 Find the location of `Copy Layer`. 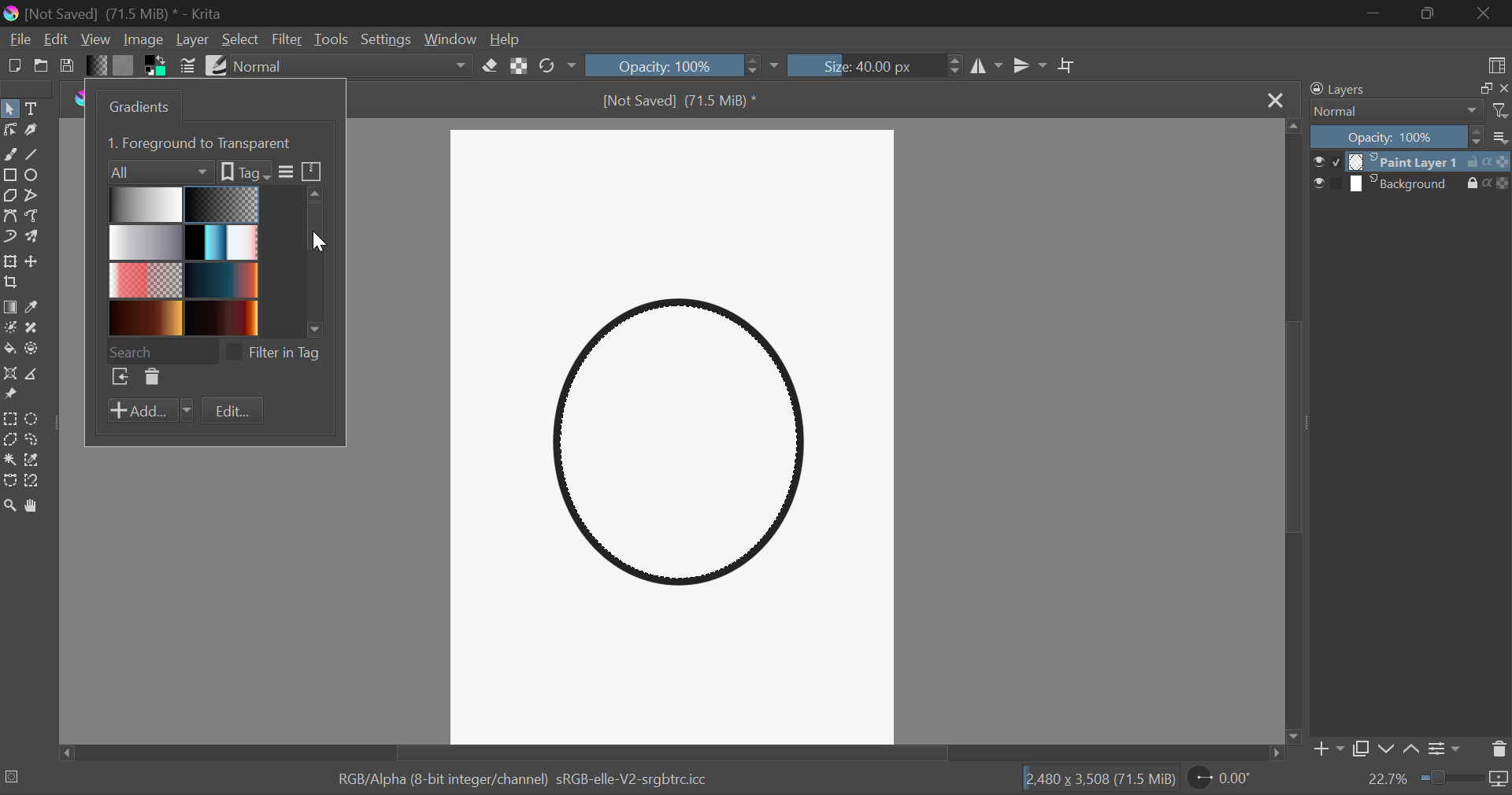

Copy Layer is located at coordinates (1362, 749).